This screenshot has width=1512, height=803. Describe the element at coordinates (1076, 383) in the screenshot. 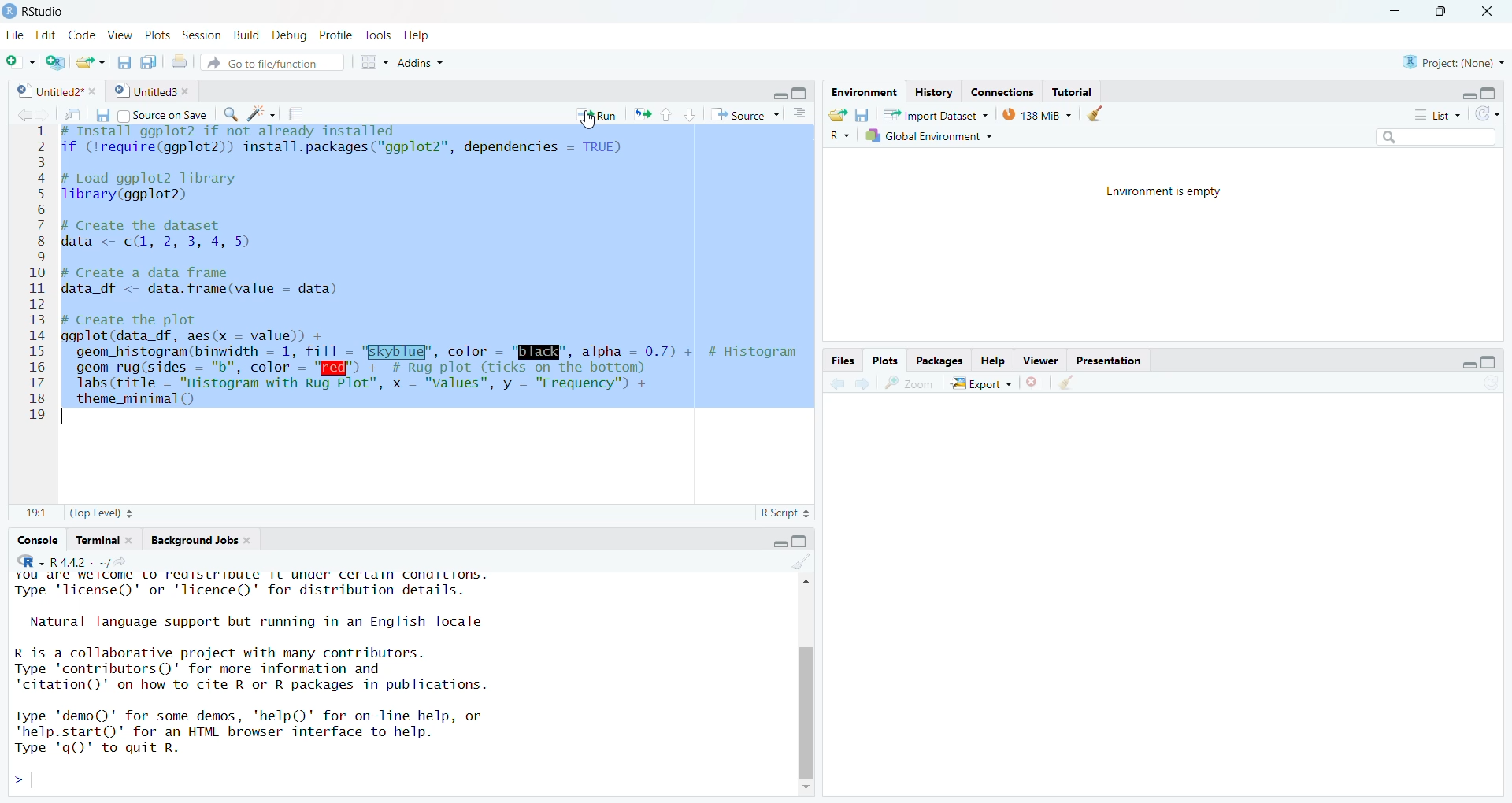

I see `Clear viewer` at that location.